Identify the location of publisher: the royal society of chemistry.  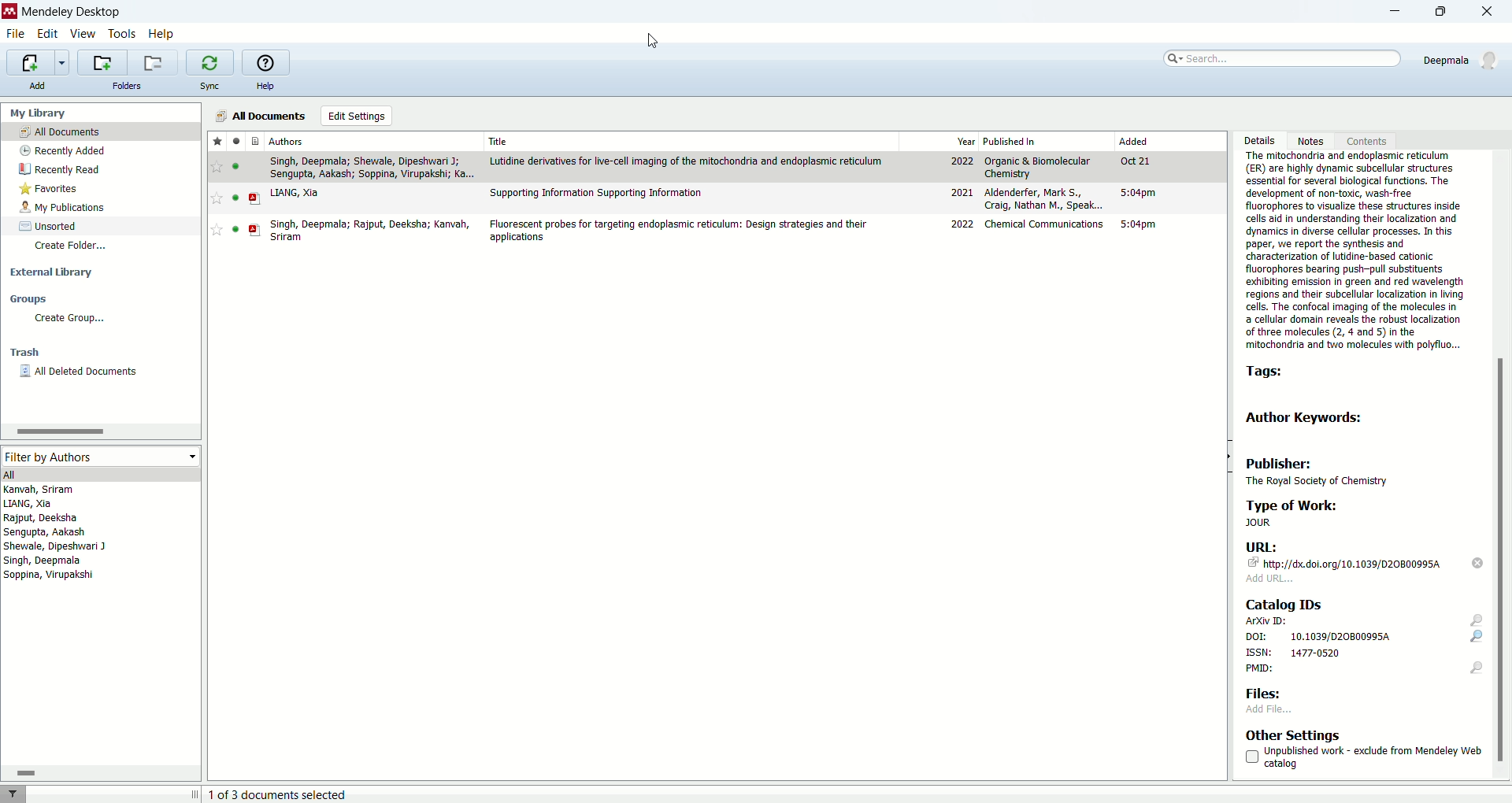
(1325, 470).